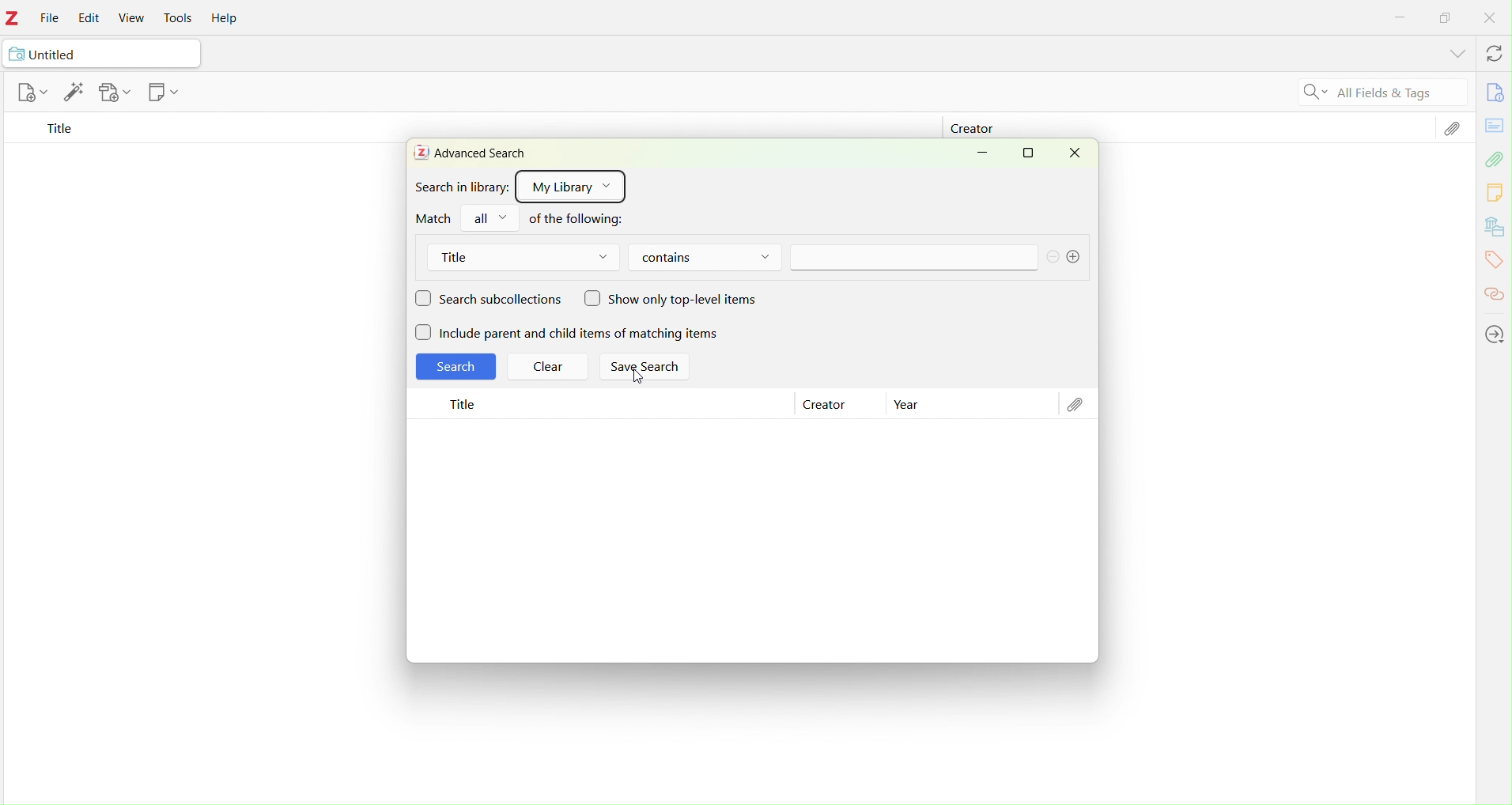  Describe the element at coordinates (1493, 260) in the screenshot. I see `Tags` at that location.